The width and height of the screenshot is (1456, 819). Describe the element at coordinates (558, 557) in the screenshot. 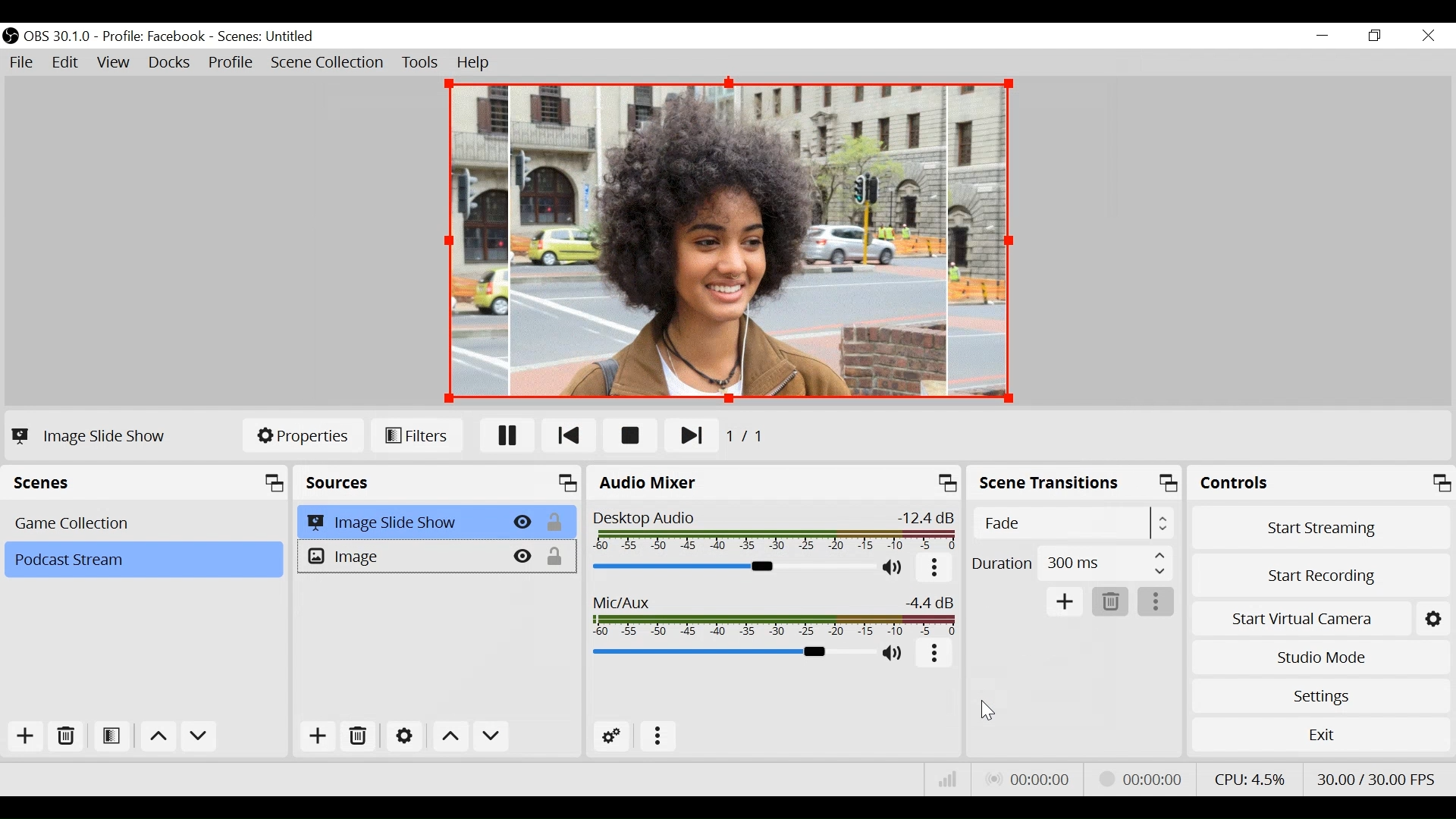

I see `(un)lock` at that location.